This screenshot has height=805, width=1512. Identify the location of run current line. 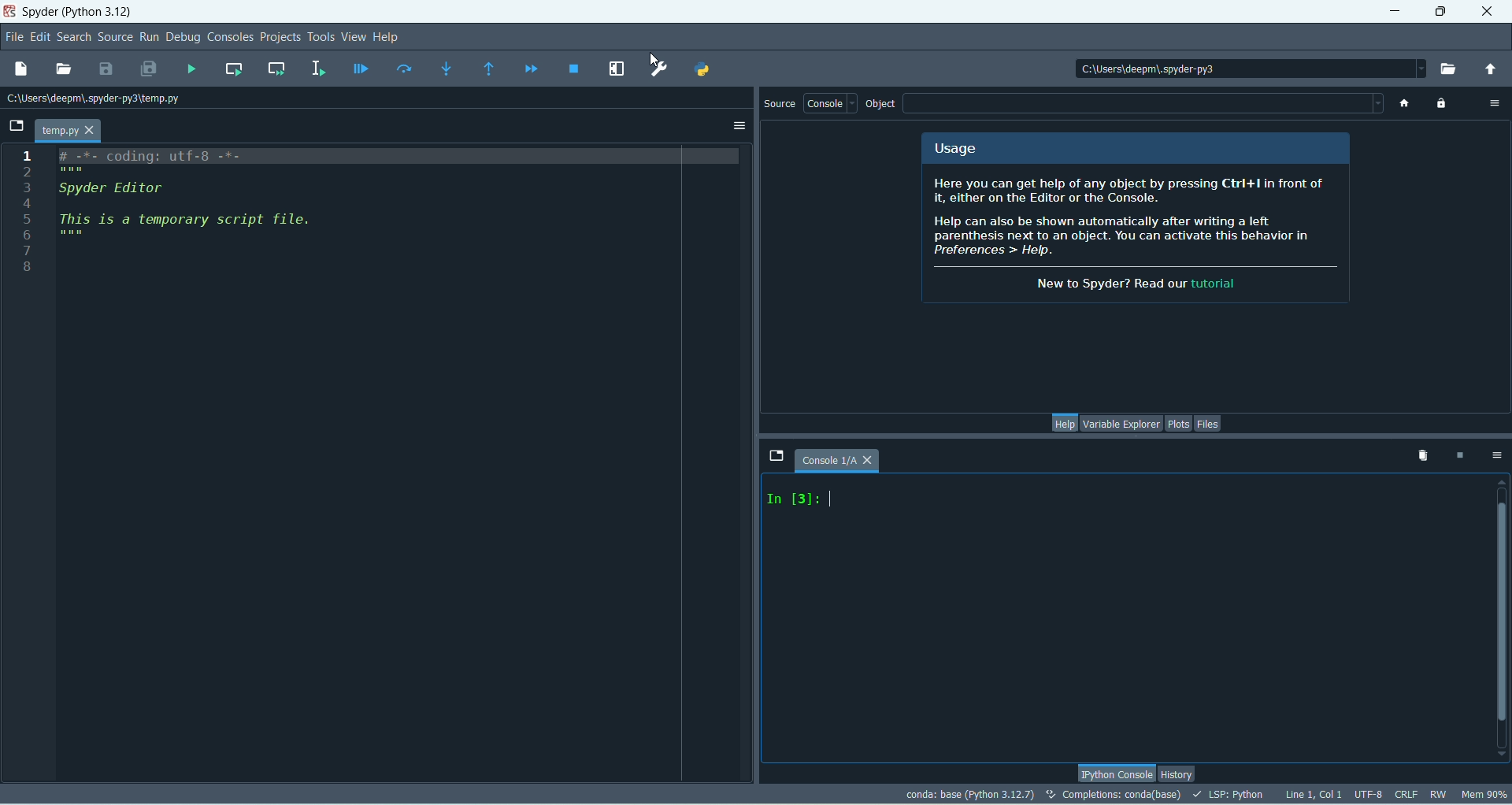
(404, 69).